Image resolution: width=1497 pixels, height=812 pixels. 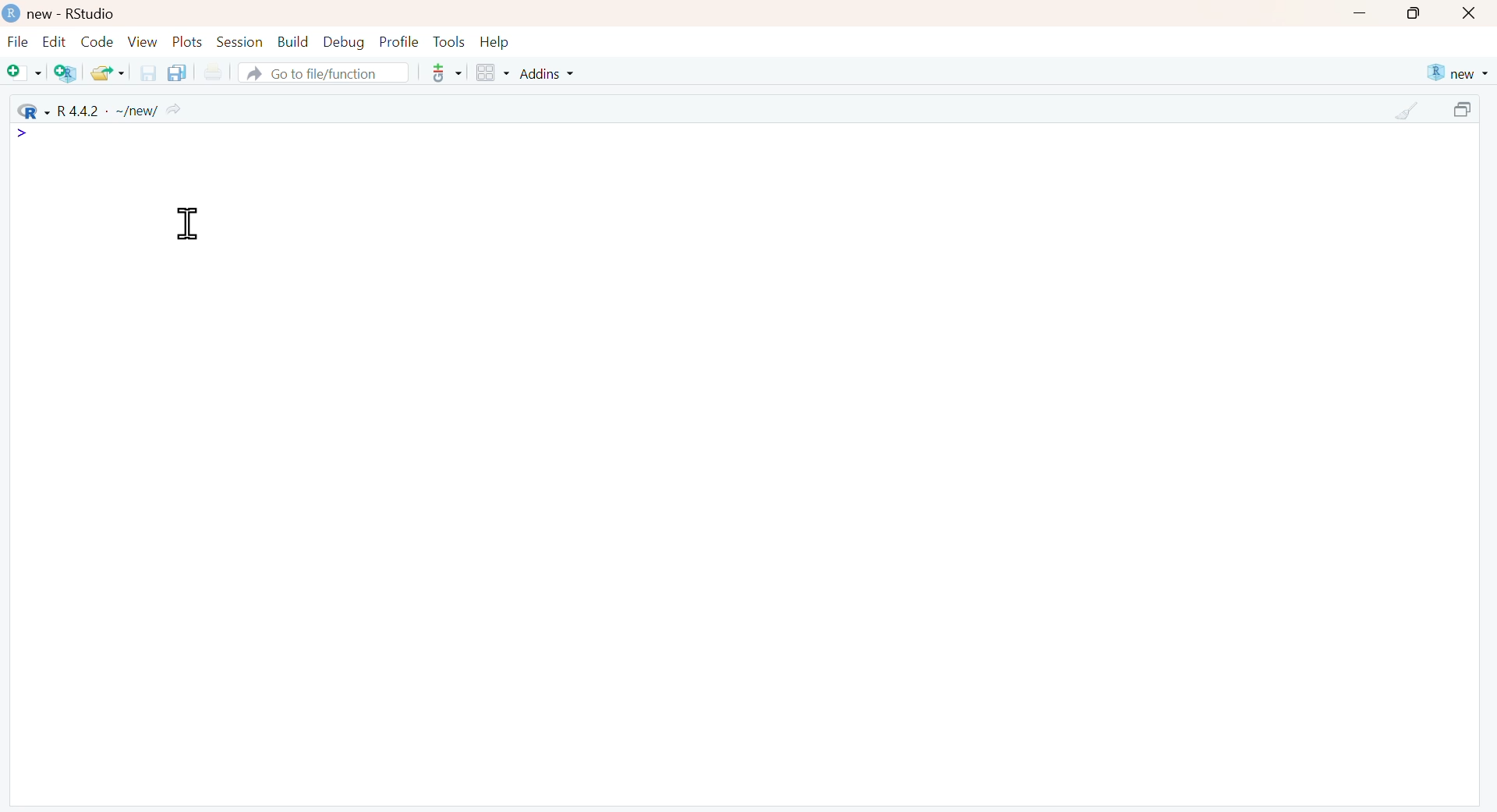 I want to click on Save the current document, so click(x=149, y=72).